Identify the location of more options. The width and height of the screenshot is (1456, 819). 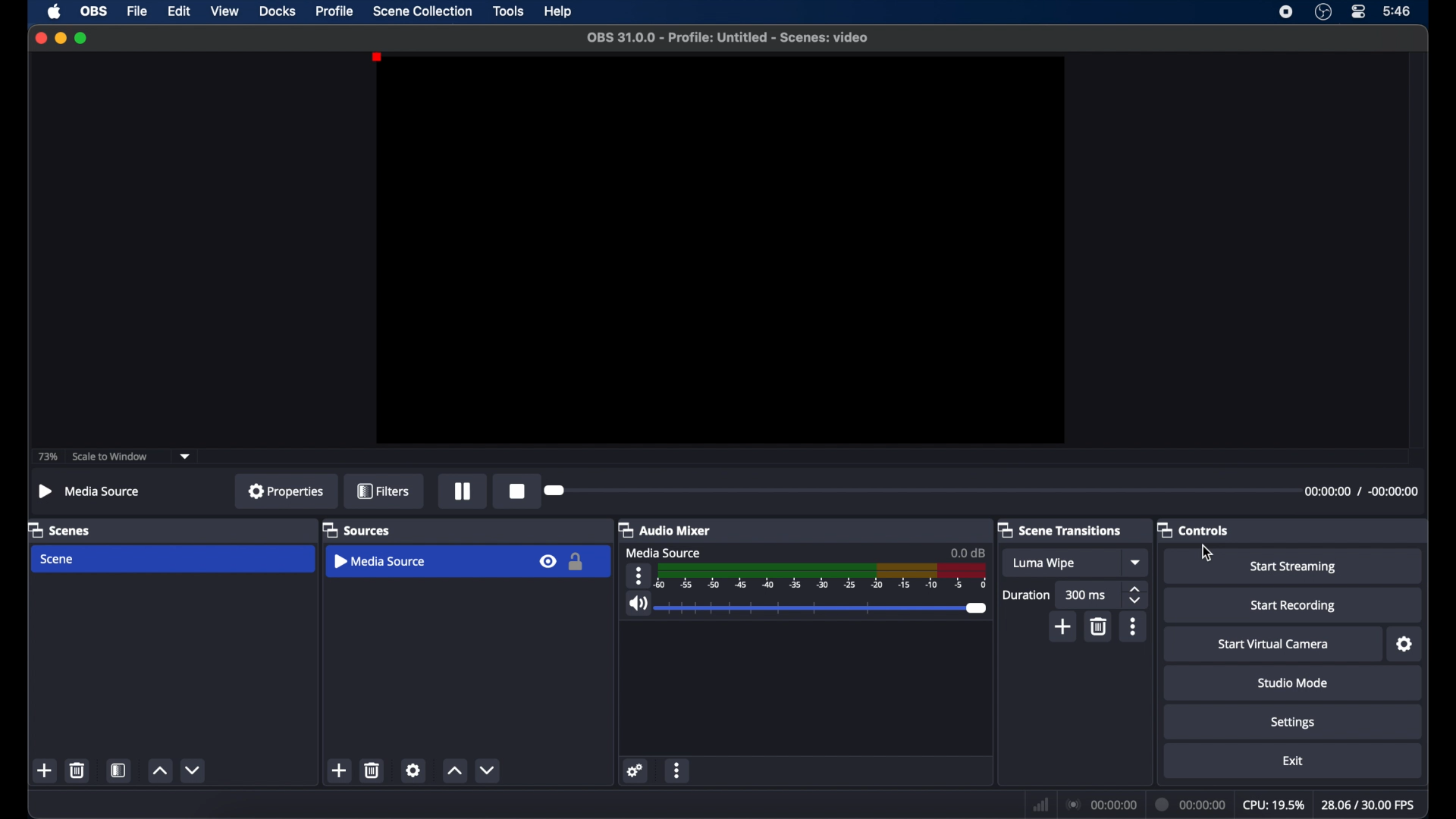
(677, 770).